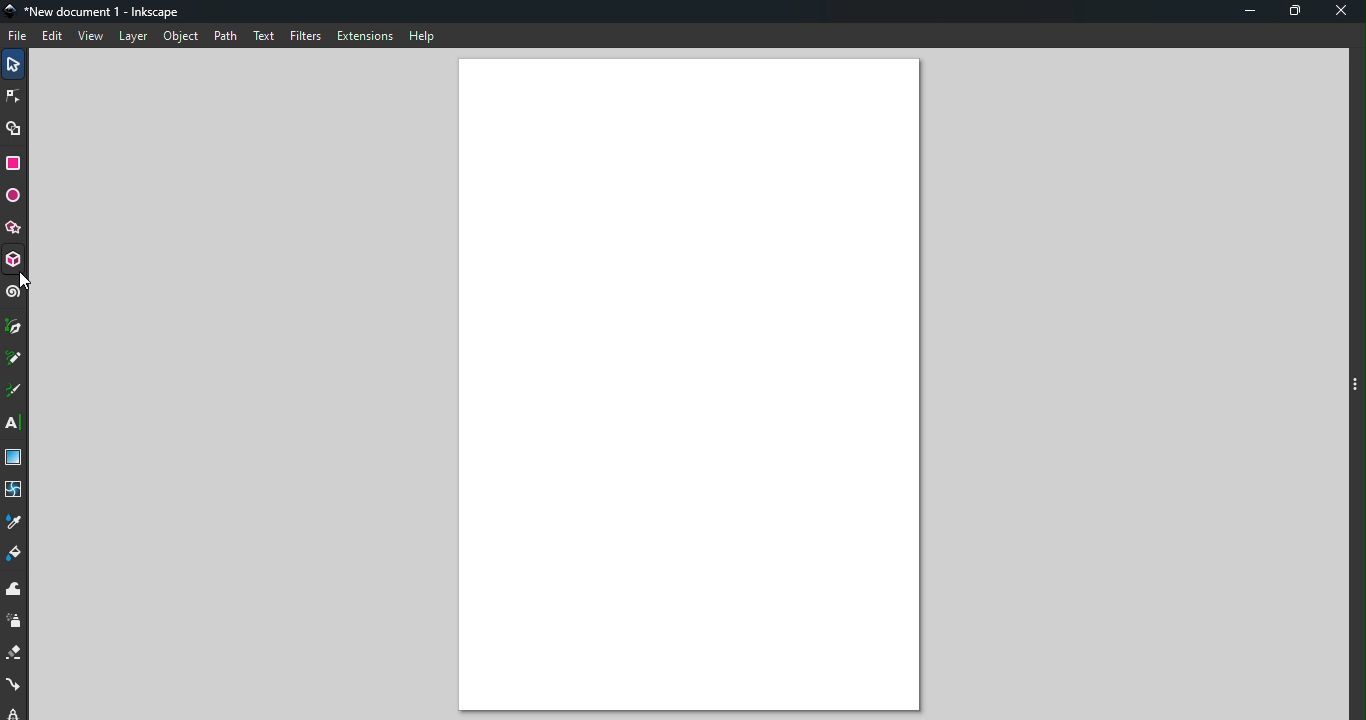 This screenshot has width=1366, height=720. I want to click on File, so click(18, 37).